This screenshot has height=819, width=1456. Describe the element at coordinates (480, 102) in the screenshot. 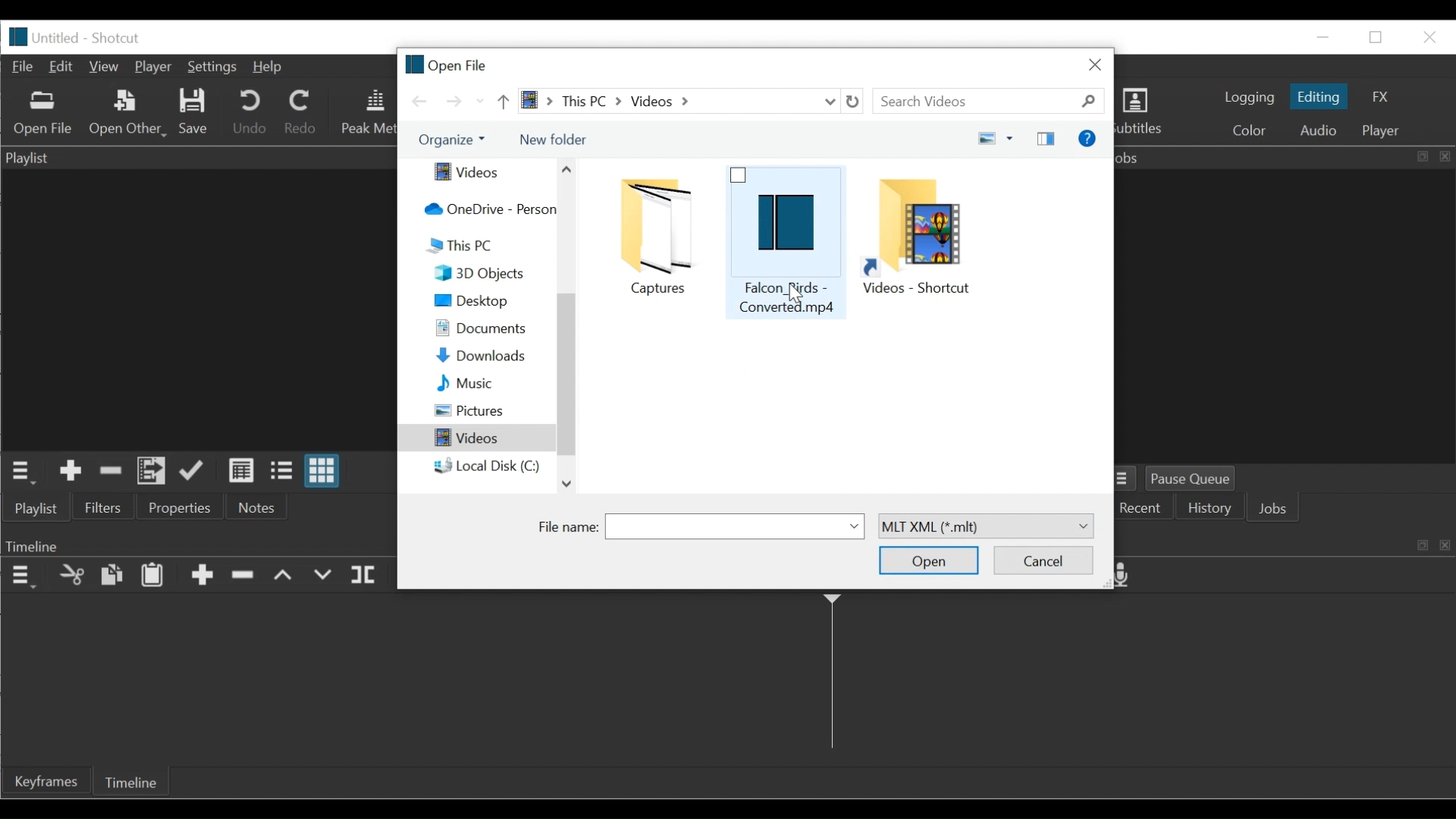

I see `Recent` at that location.